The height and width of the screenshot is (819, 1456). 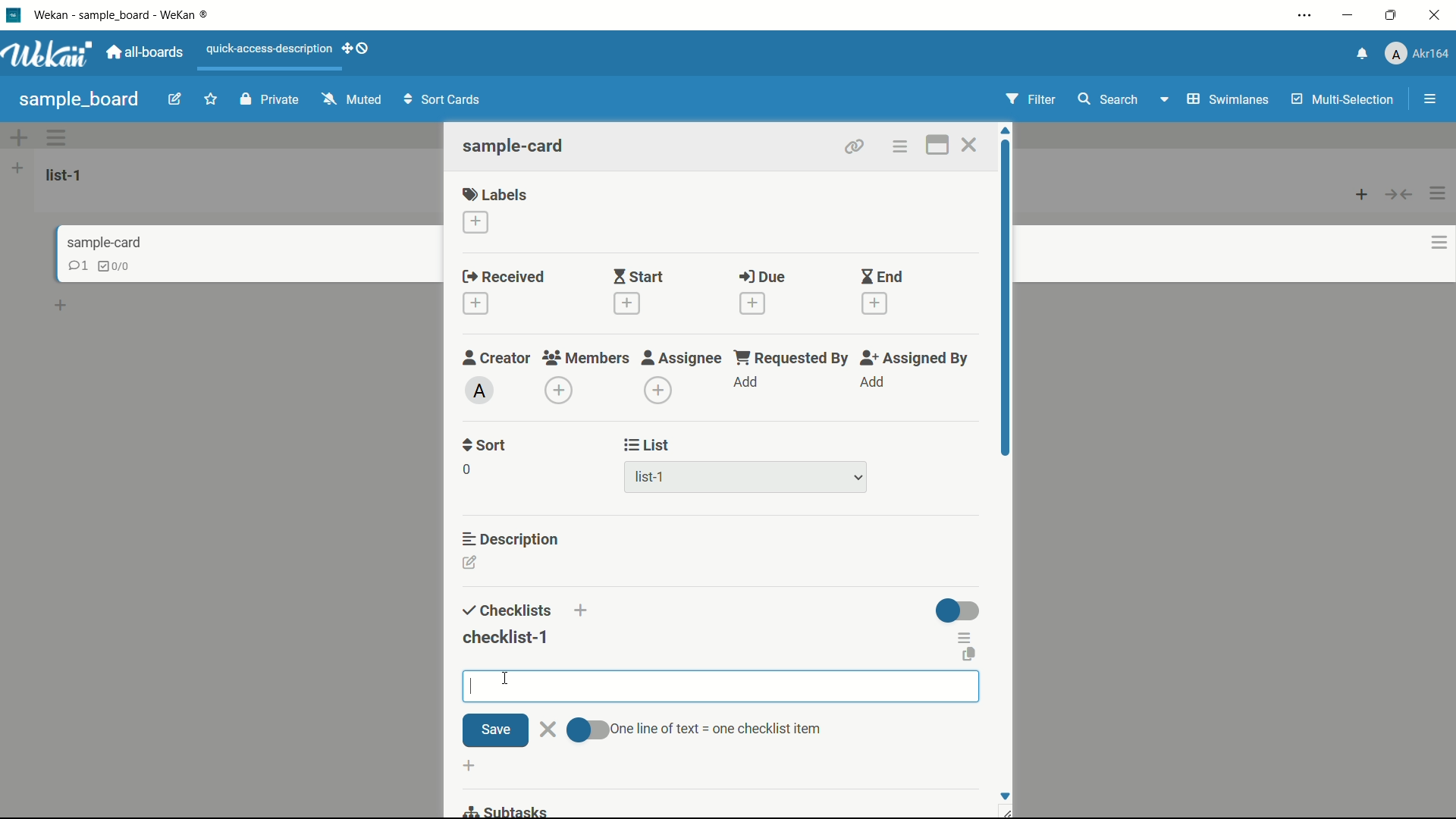 I want to click on checklist, so click(x=116, y=267).